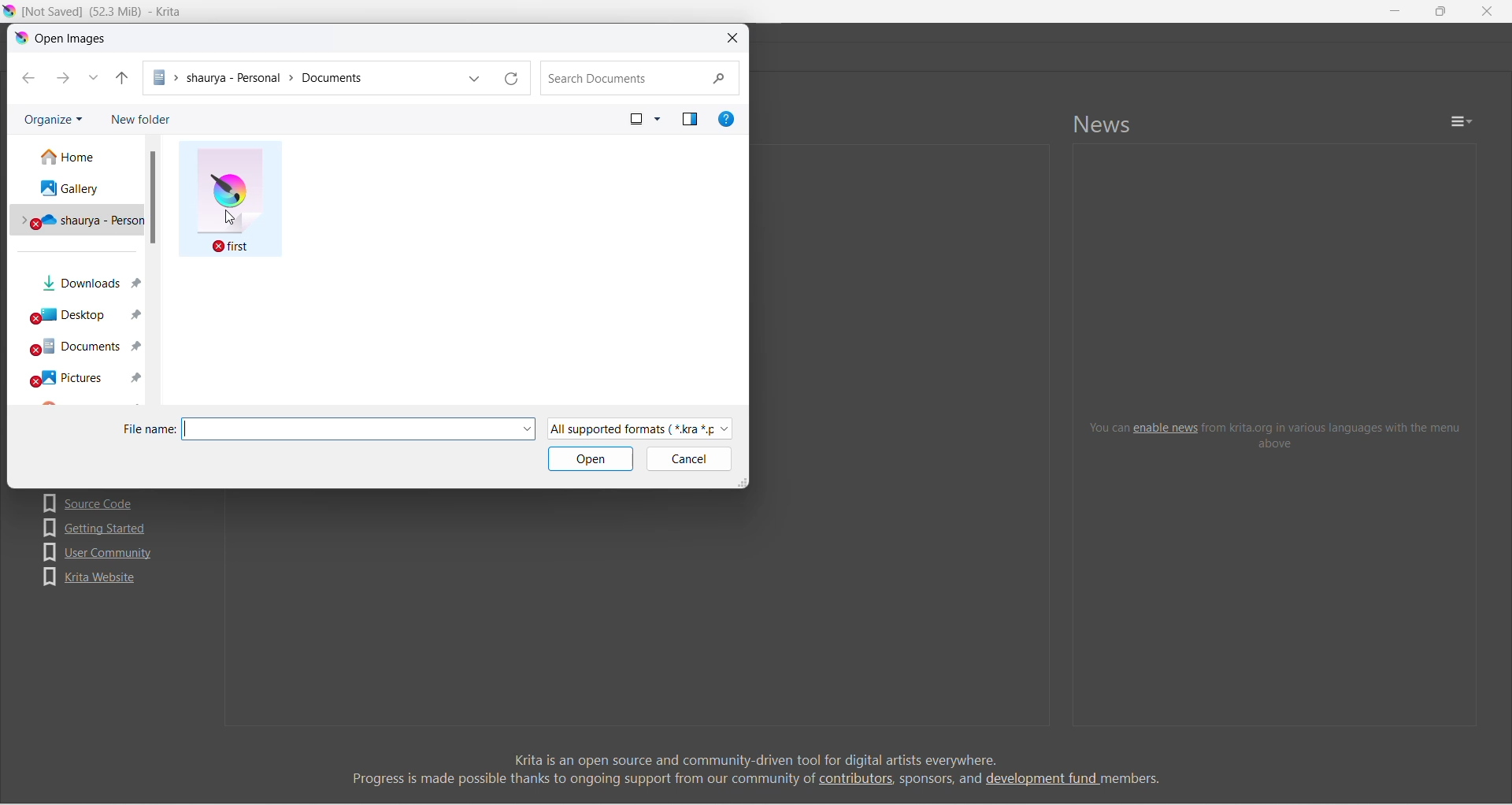  I want to click on scroll bar, so click(152, 198).